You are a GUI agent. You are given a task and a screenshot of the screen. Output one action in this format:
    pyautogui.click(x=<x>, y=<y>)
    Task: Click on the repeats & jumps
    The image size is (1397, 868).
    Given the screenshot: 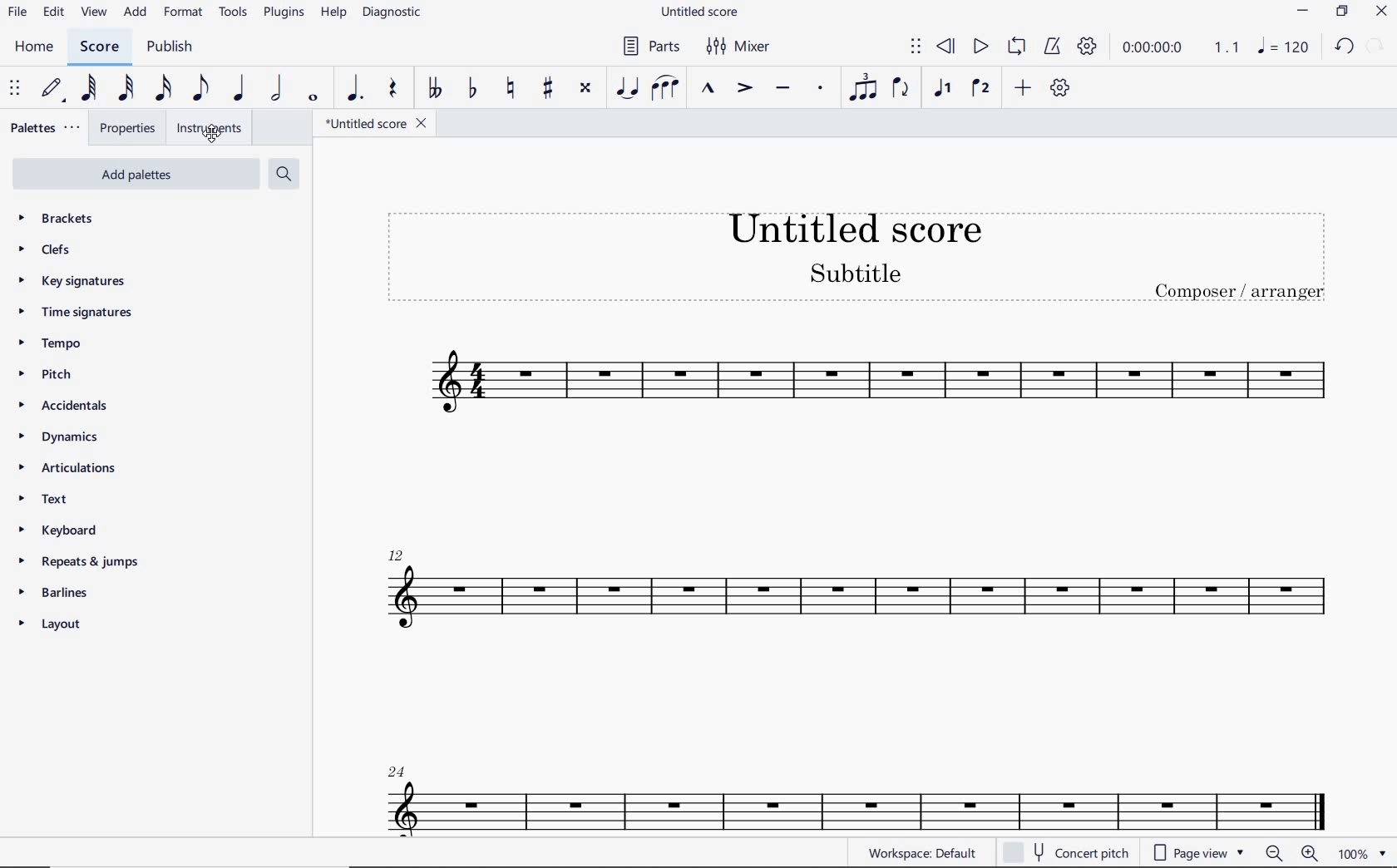 What is the action you would take?
    pyautogui.click(x=82, y=563)
    